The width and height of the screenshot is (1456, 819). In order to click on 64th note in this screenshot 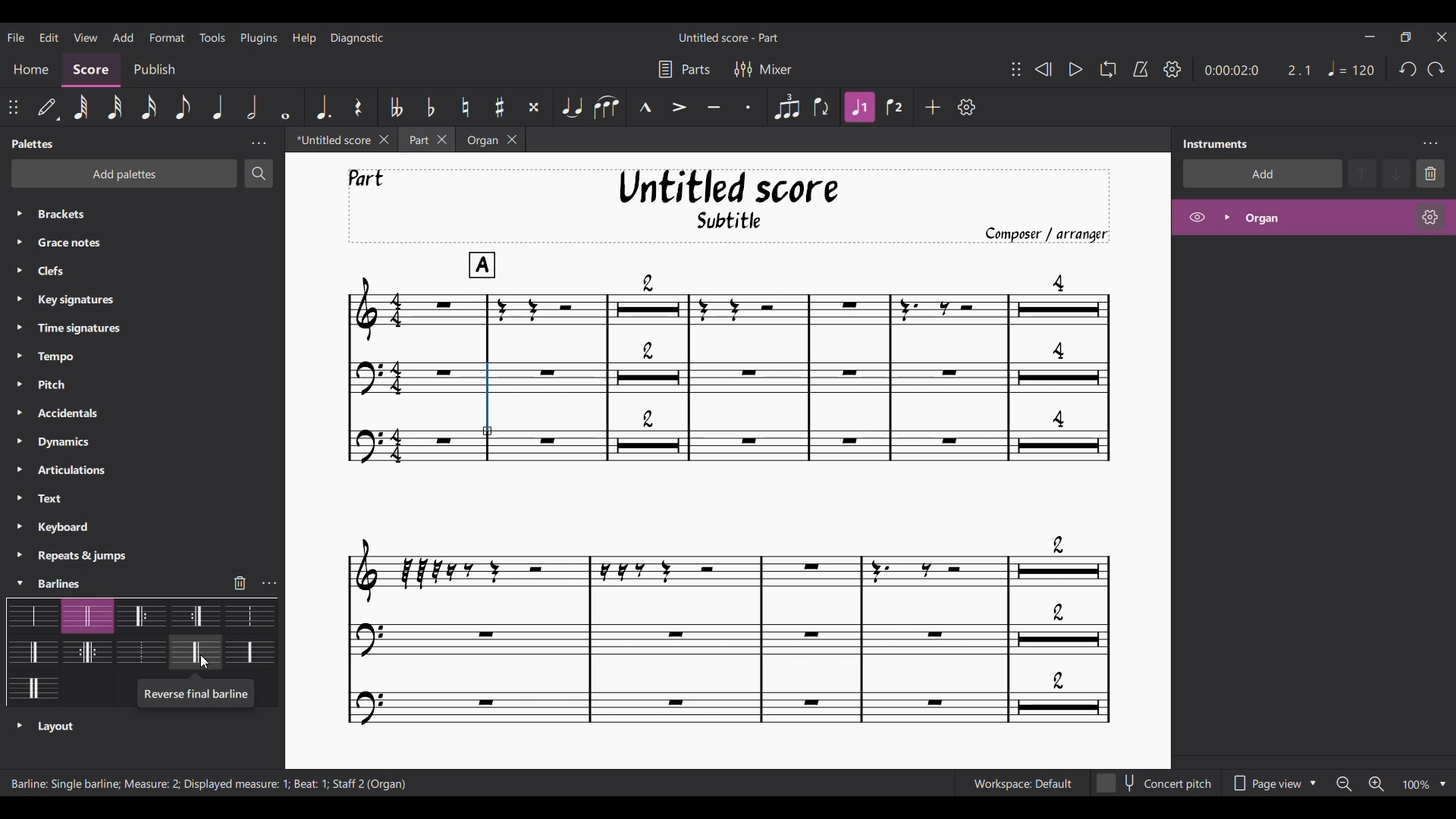, I will do `click(80, 108)`.